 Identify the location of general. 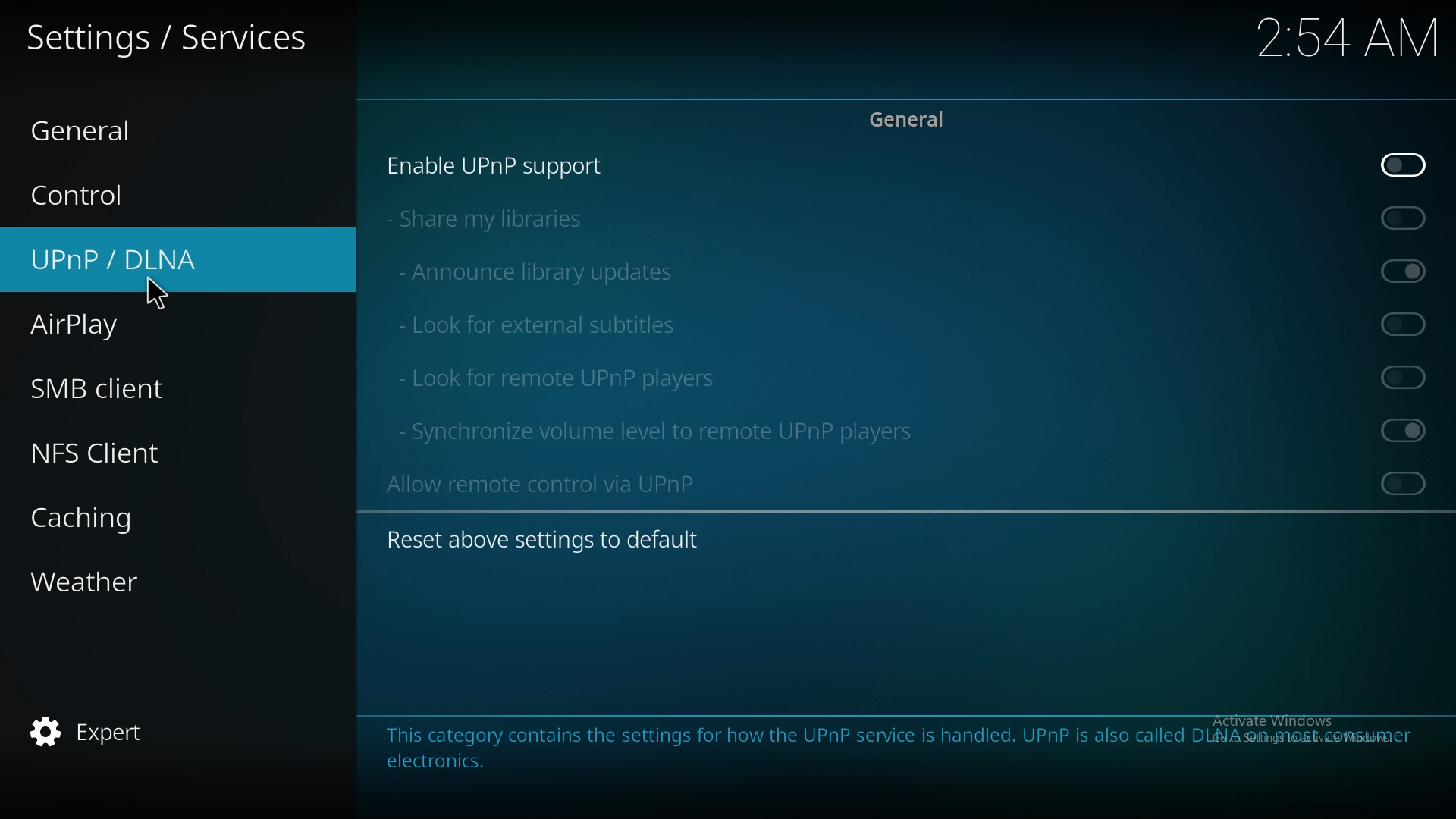
(105, 127).